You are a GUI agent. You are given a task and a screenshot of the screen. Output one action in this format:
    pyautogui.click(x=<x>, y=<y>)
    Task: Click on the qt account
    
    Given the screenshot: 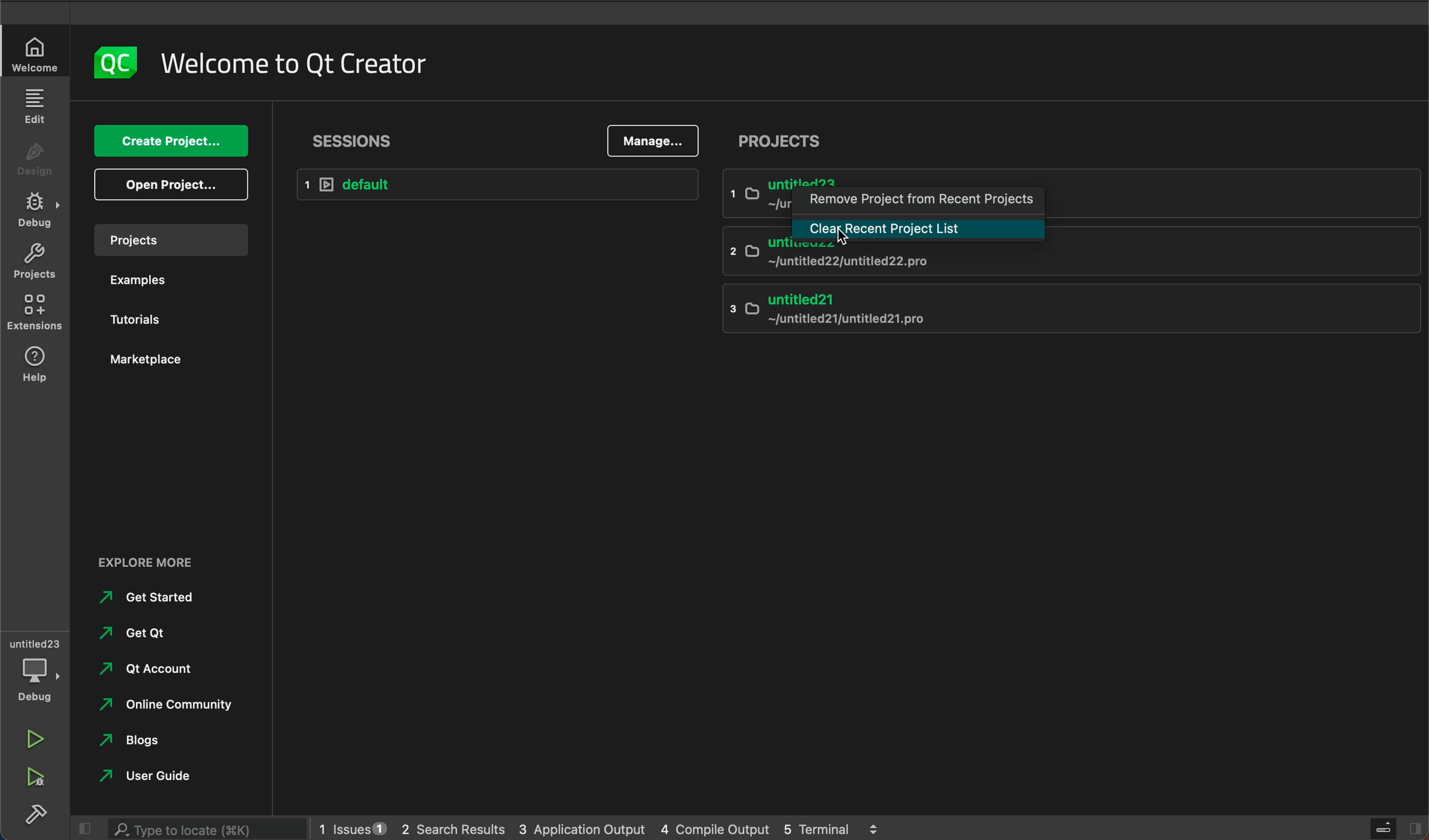 What is the action you would take?
    pyautogui.click(x=163, y=672)
    